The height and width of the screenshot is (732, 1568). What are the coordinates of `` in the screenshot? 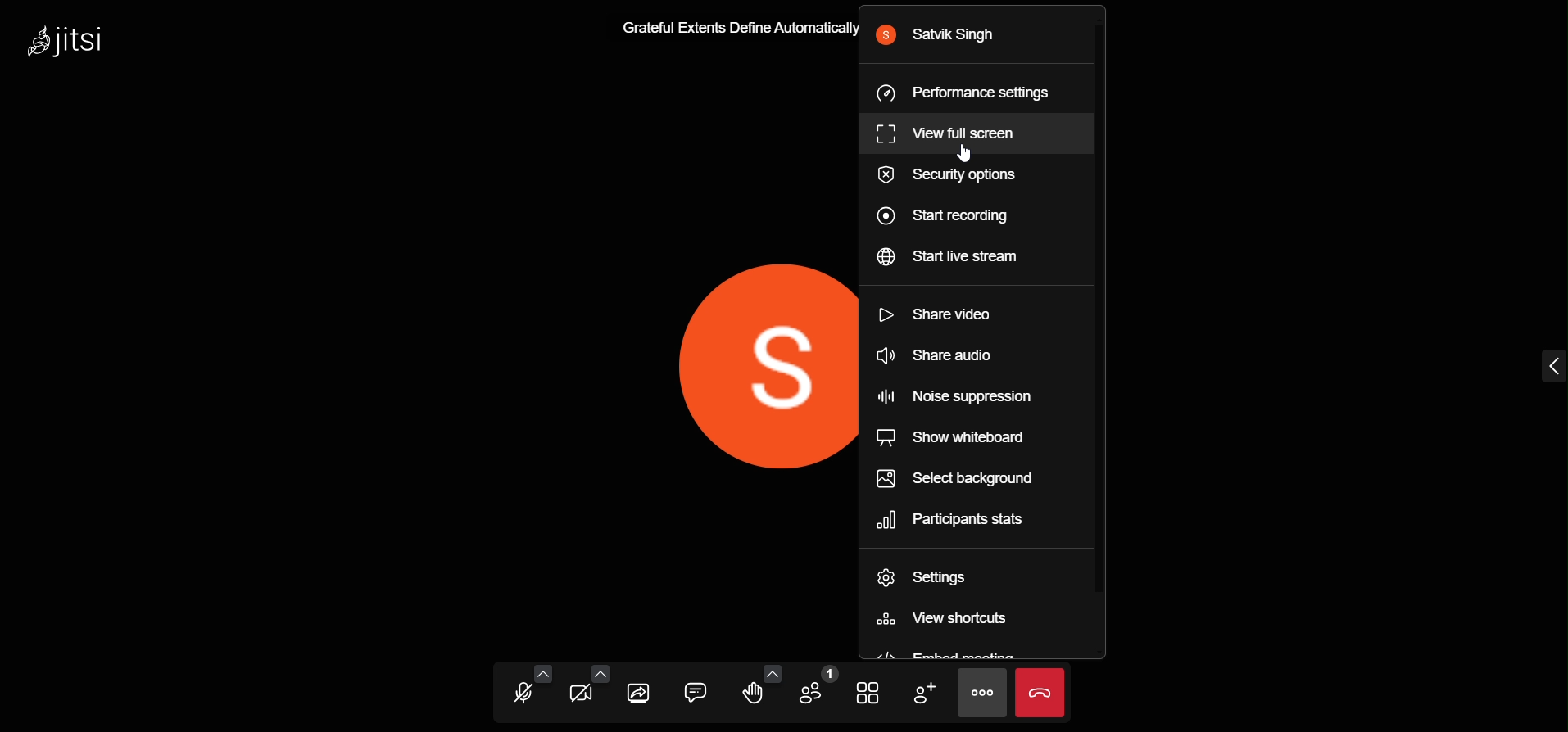 It's located at (732, 28).